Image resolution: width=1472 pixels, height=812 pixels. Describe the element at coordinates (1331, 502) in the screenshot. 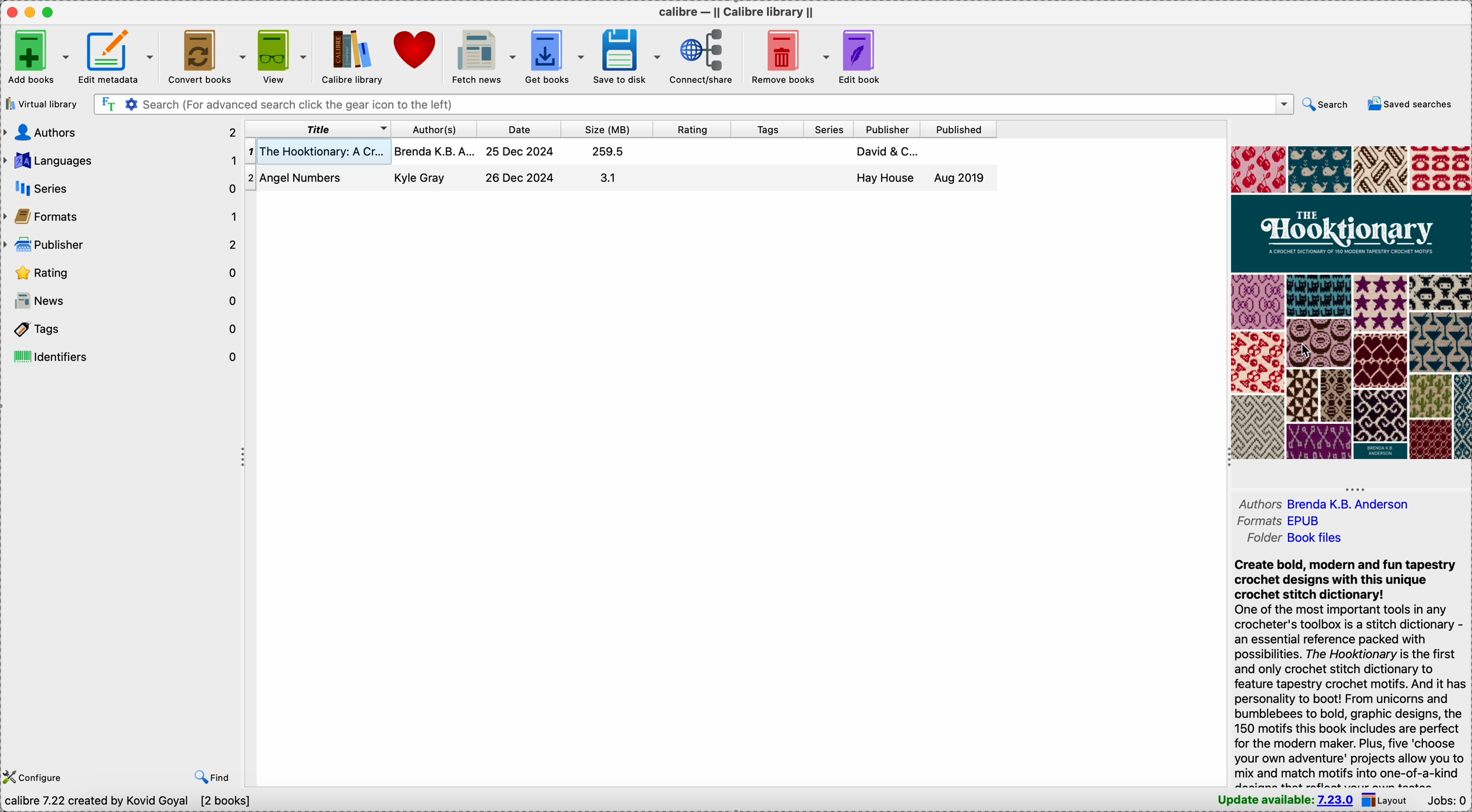

I see `authors` at that location.